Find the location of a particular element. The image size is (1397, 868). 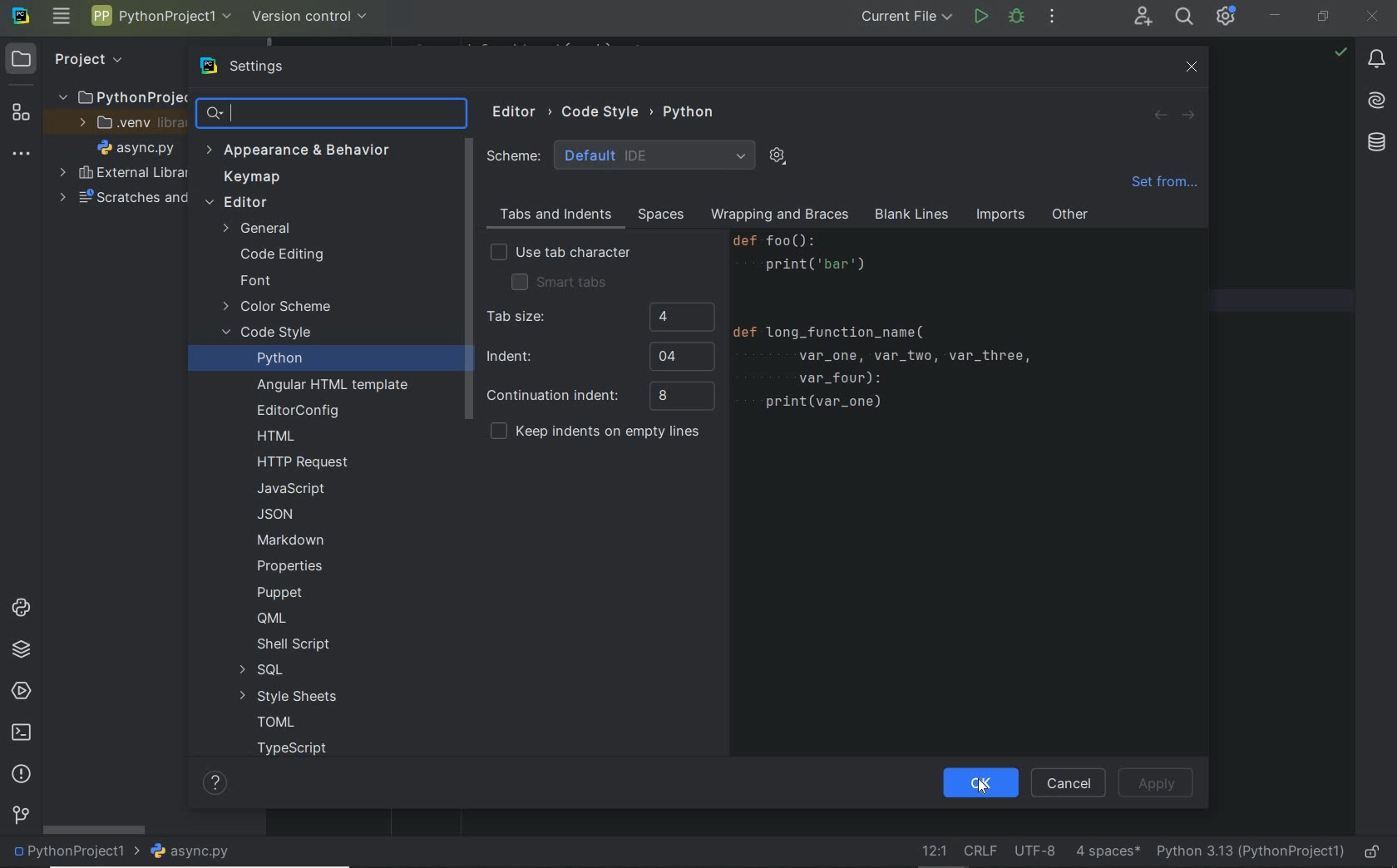

wrapping and braces is located at coordinates (777, 216).